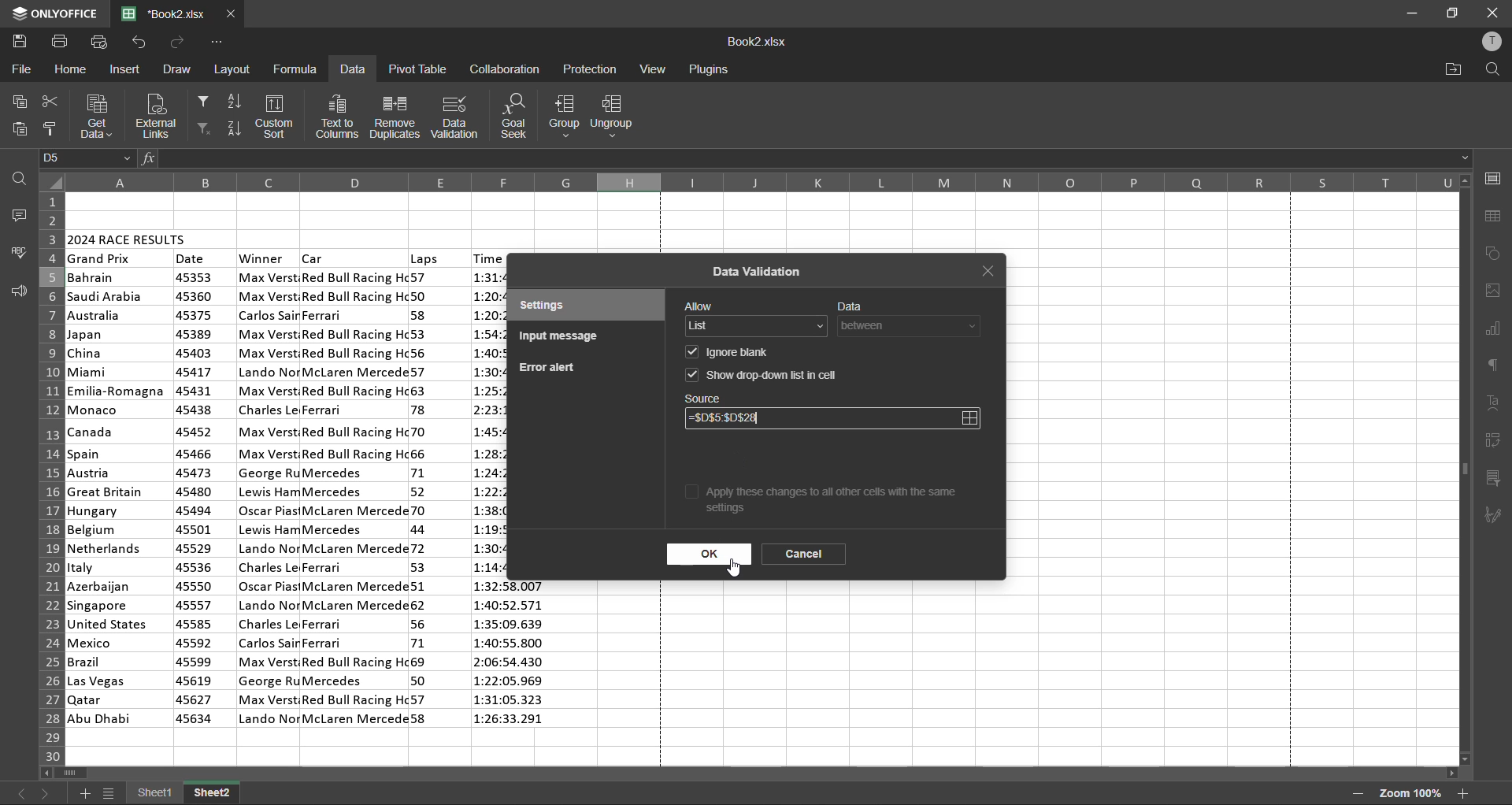  What do you see at coordinates (691, 377) in the screenshot?
I see `checkbox` at bounding box center [691, 377].